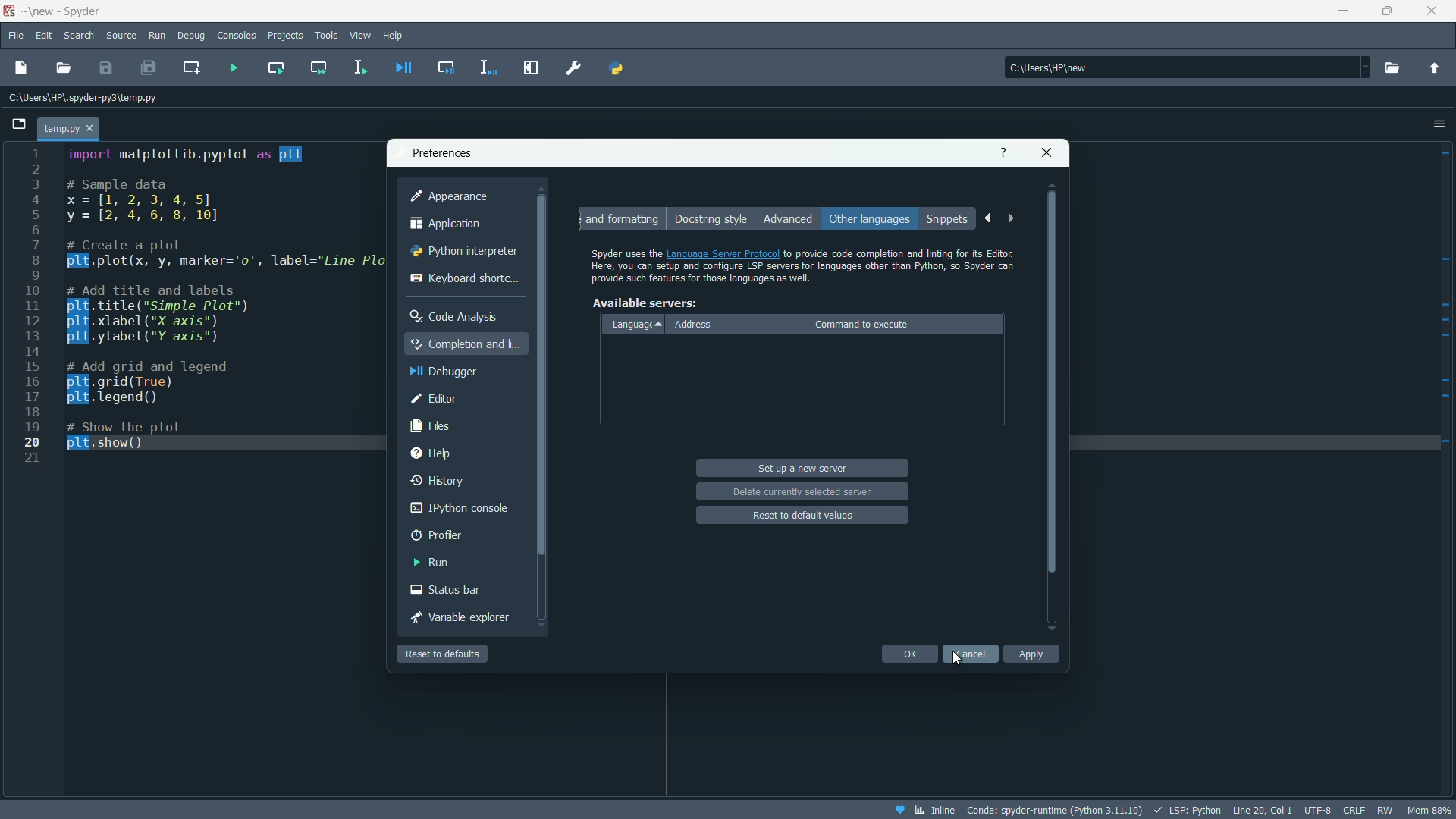 Image resolution: width=1456 pixels, height=819 pixels. I want to click on snippets, so click(949, 220).